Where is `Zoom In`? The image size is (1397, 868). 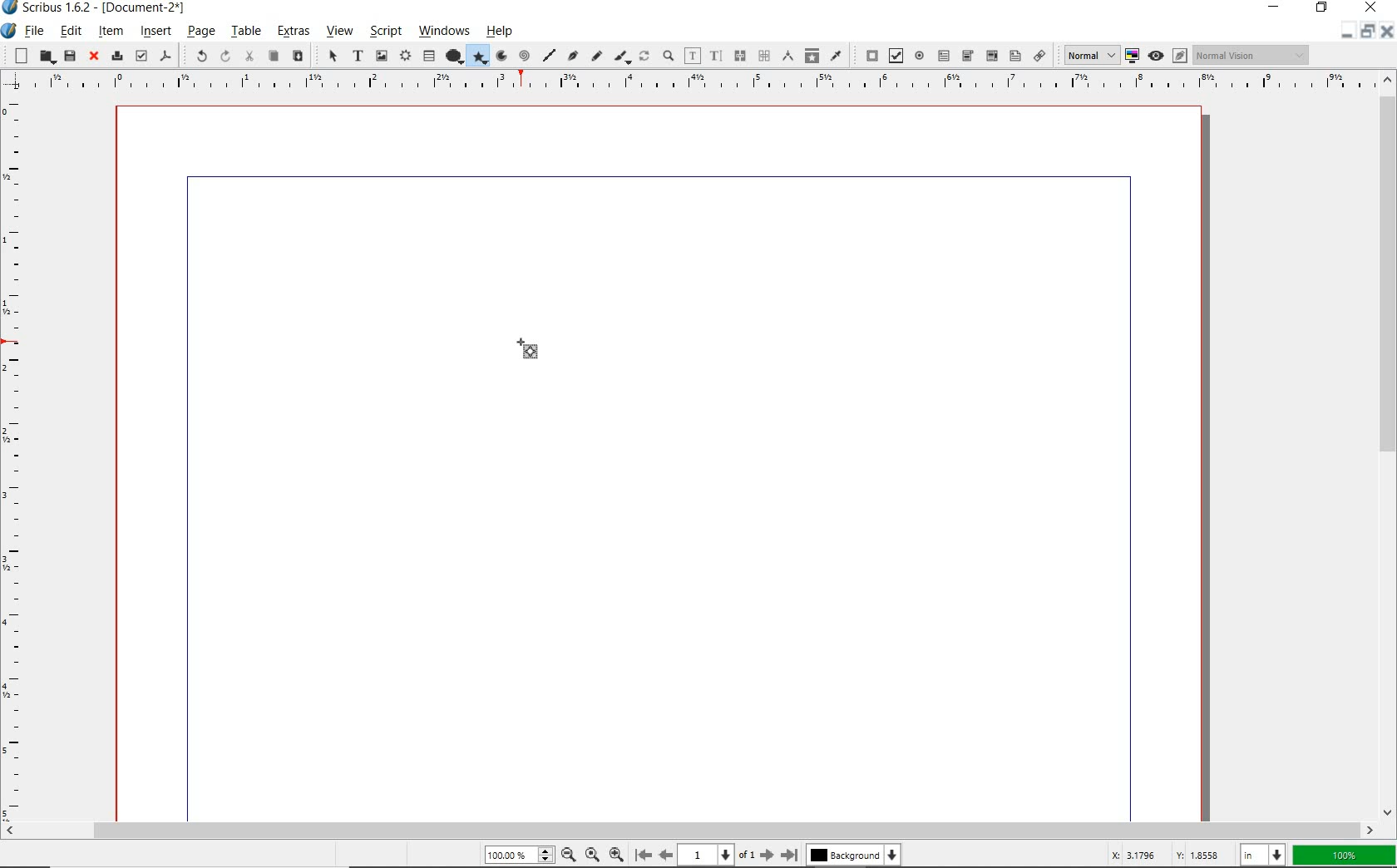 Zoom In is located at coordinates (618, 854).